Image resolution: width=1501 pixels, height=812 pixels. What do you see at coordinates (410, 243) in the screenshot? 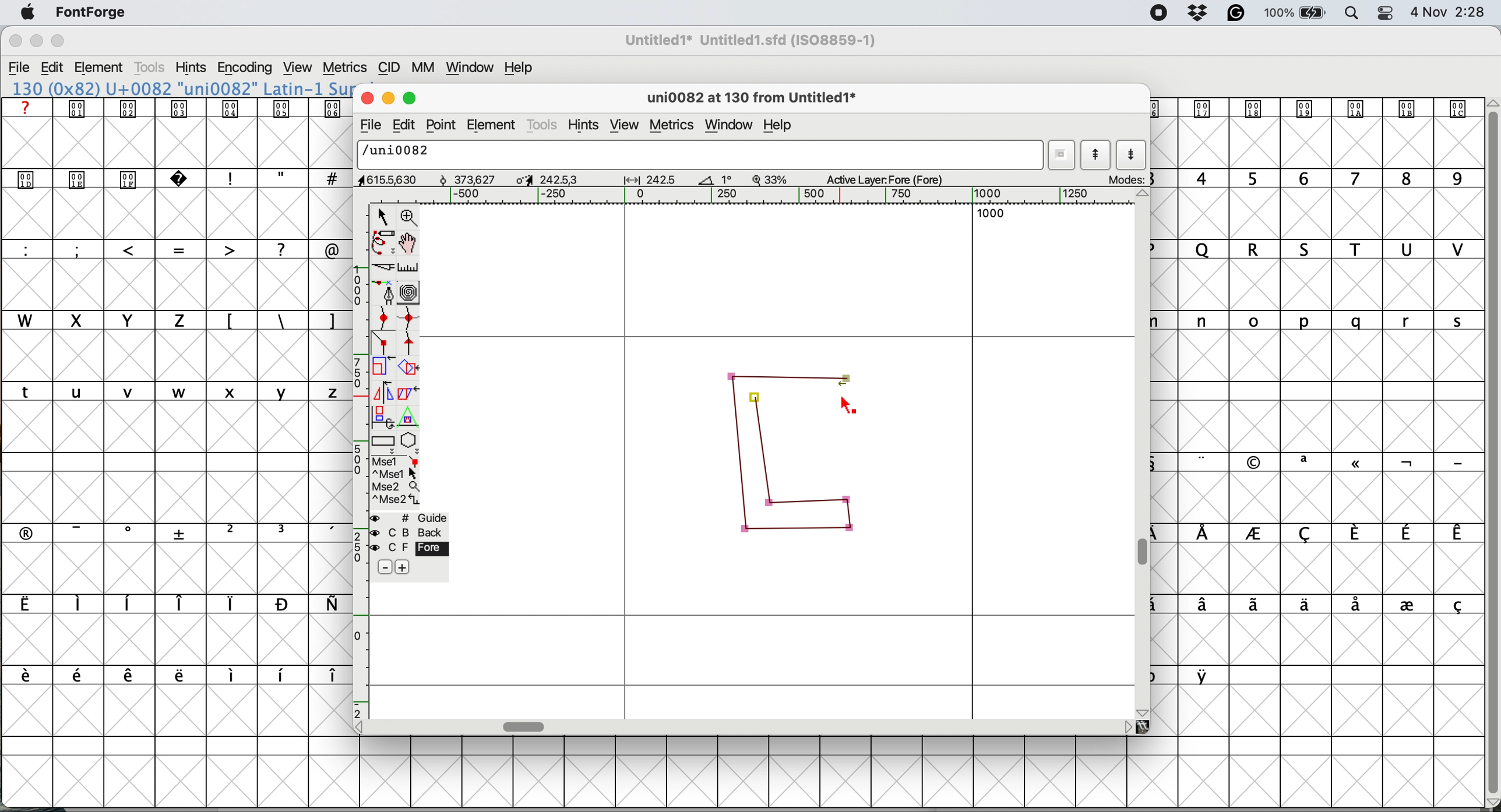
I see `scroll by hand` at bounding box center [410, 243].